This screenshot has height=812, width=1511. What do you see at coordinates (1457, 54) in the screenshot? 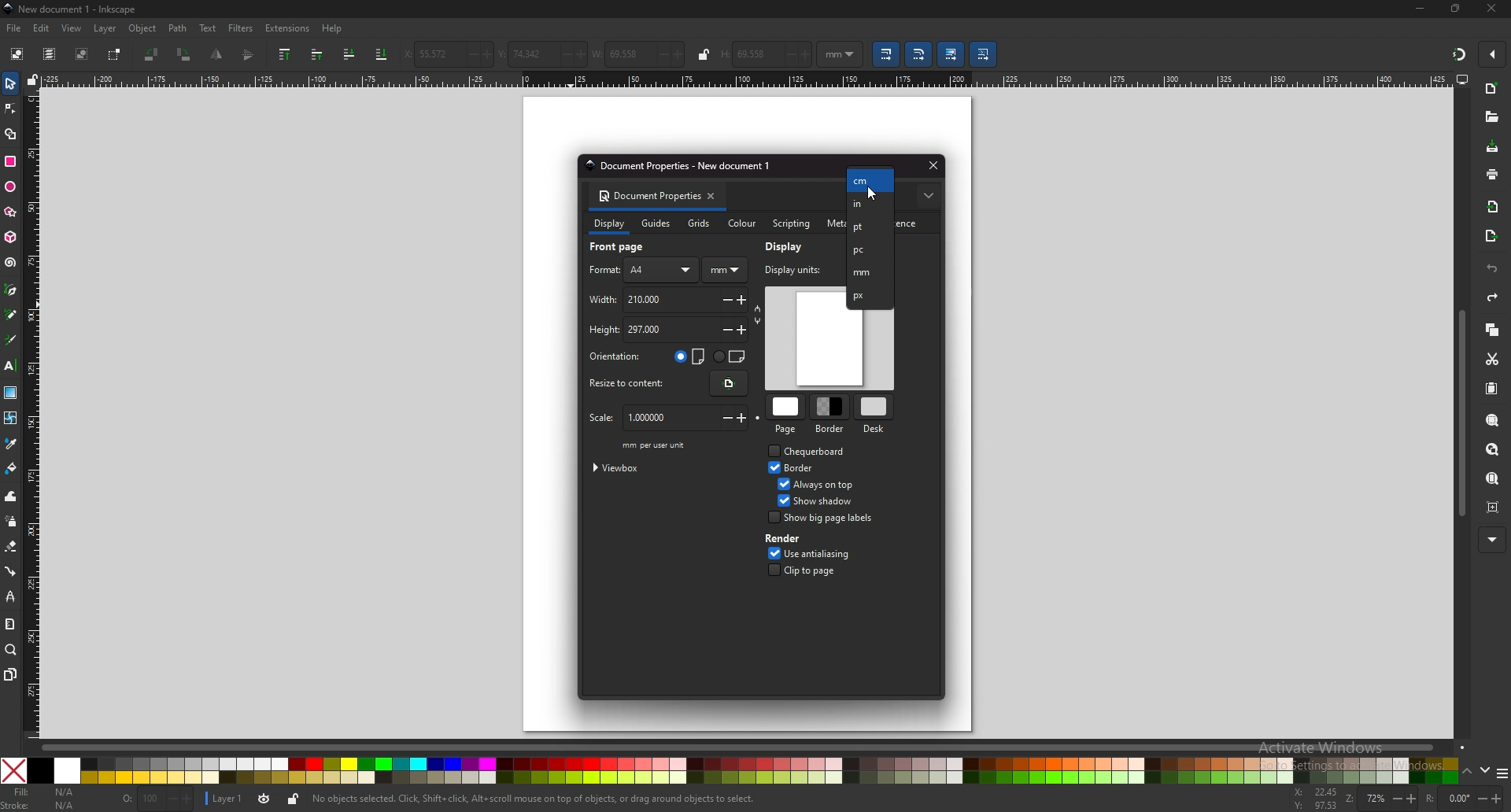
I see `snapping` at bounding box center [1457, 54].